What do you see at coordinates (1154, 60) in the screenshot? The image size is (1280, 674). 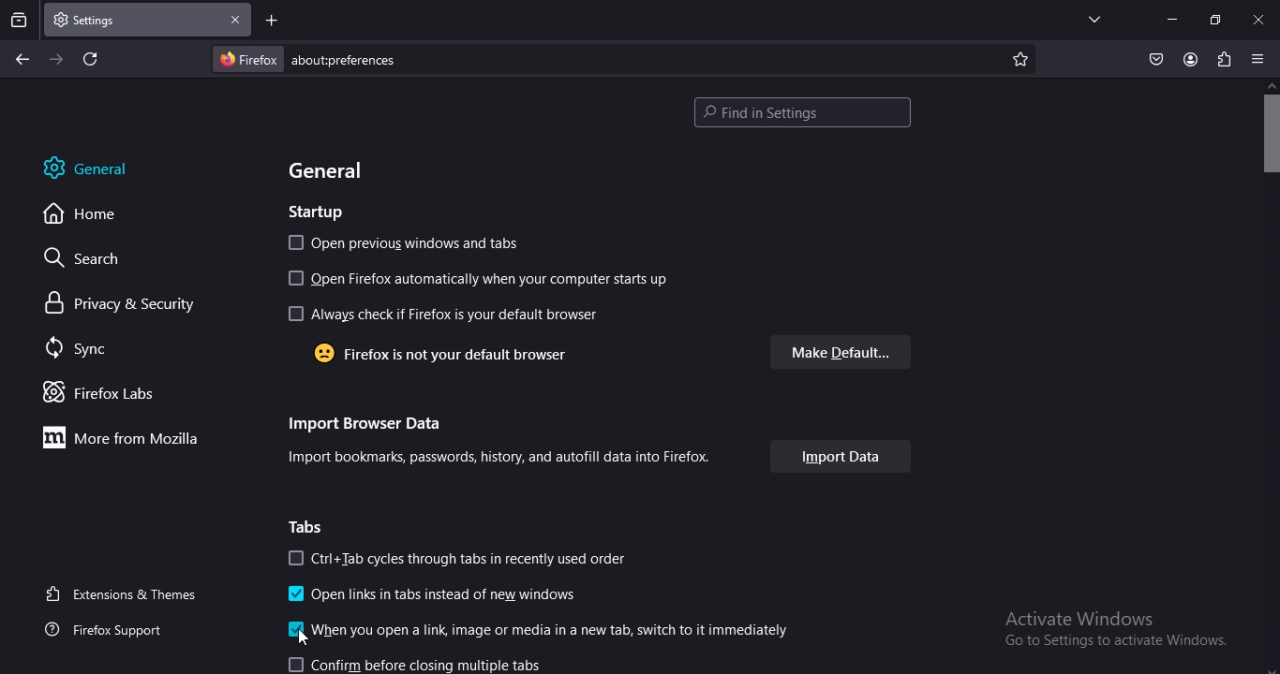 I see `save to pocket` at bounding box center [1154, 60].